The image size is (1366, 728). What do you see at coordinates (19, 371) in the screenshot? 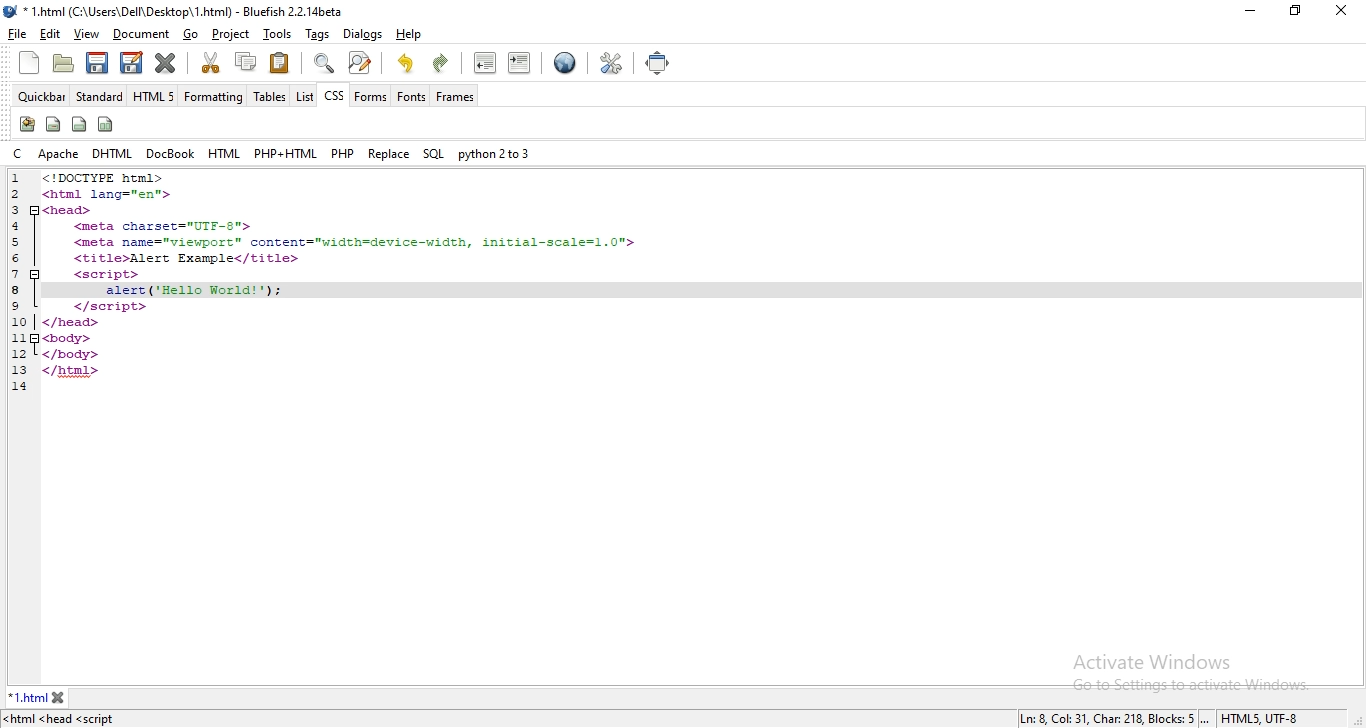
I see `13` at bounding box center [19, 371].